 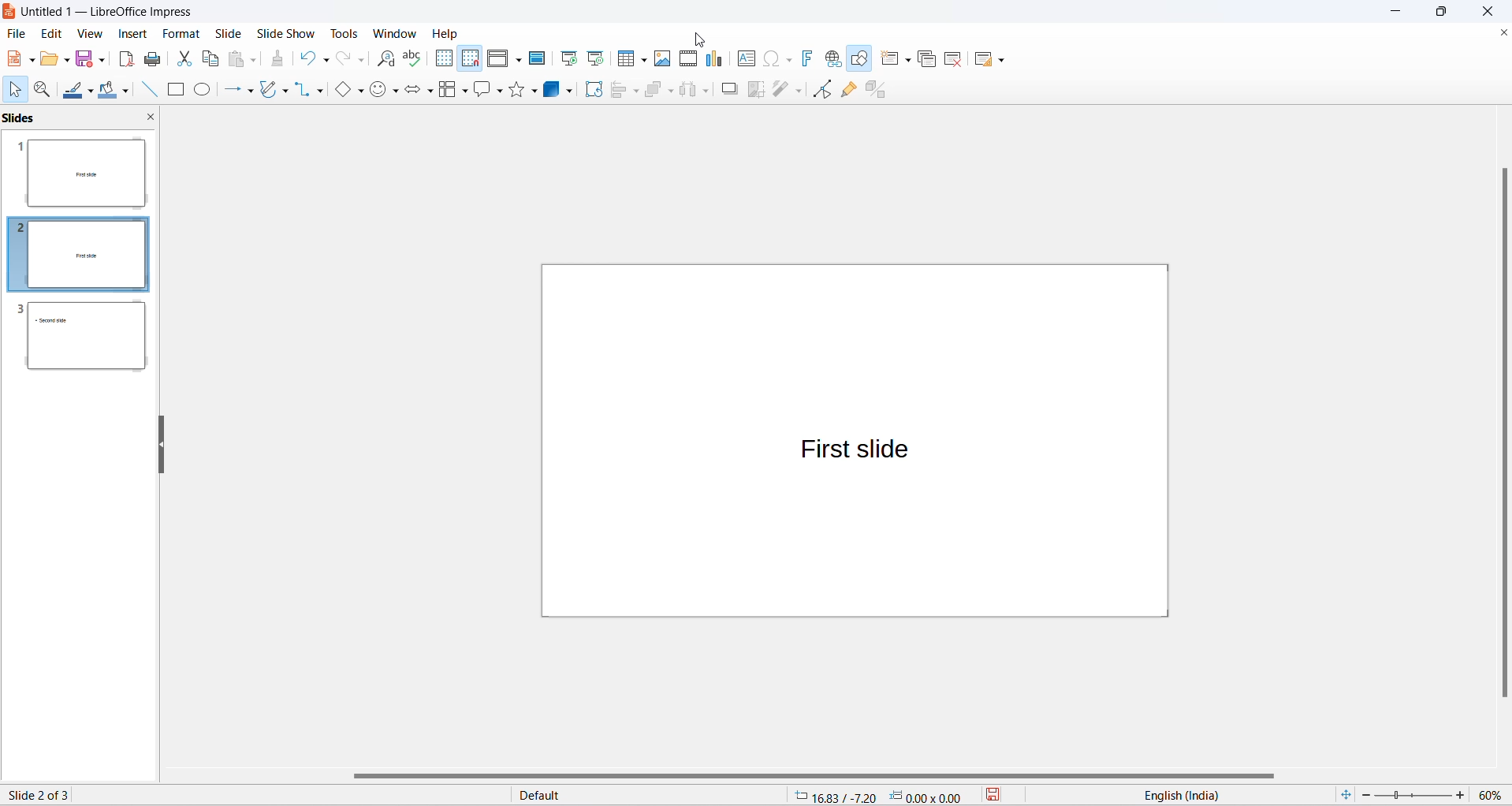 I want to click on star options, so click(x=531, y=91).